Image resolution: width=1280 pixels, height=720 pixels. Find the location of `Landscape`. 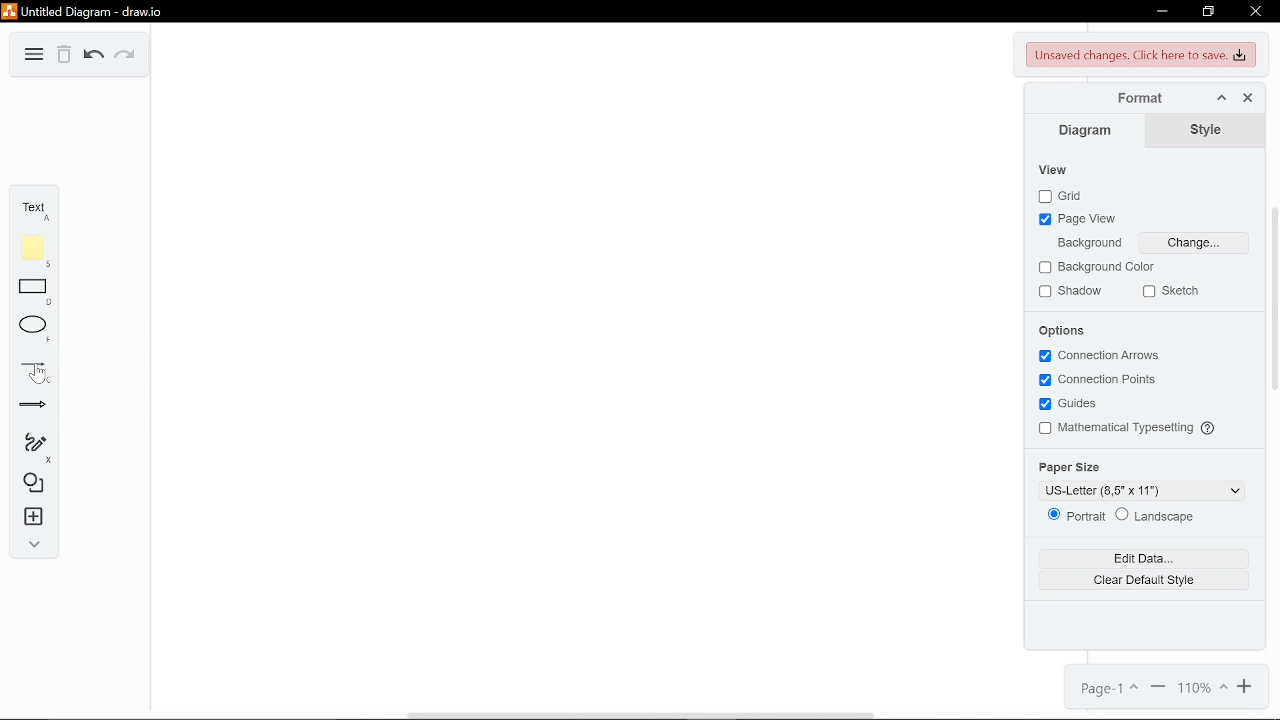

Landscape is located at coordinates (1163, 516).